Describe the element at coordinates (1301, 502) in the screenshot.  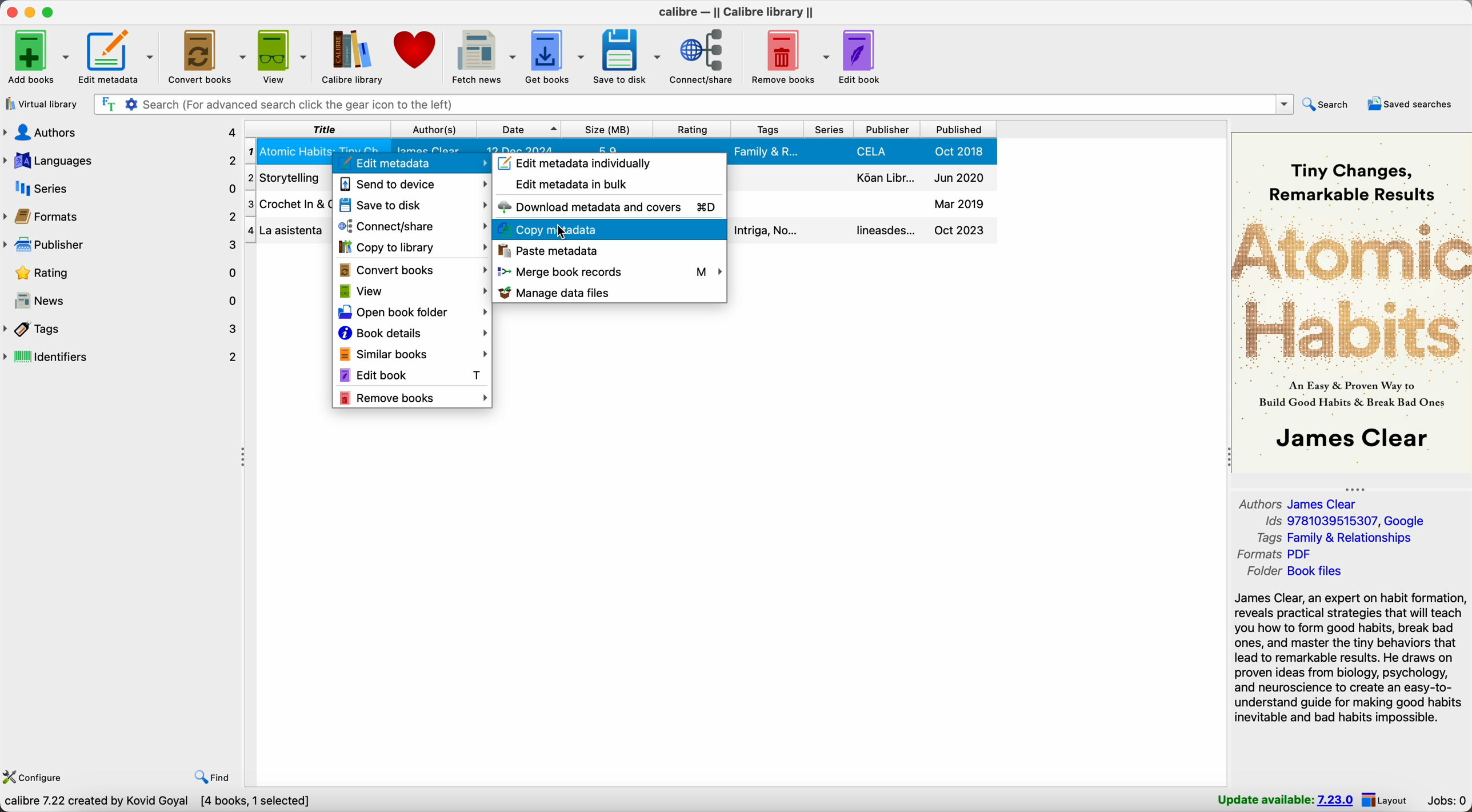
I see `authors` at that location.